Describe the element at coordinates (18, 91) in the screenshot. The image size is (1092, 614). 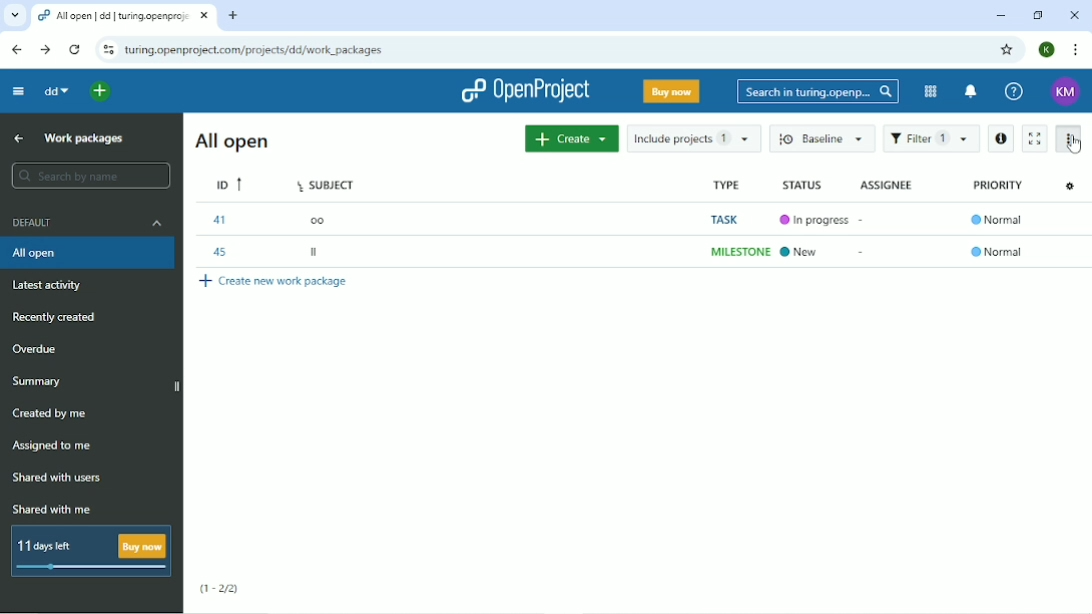
I see `Collapse project menu` at that location.